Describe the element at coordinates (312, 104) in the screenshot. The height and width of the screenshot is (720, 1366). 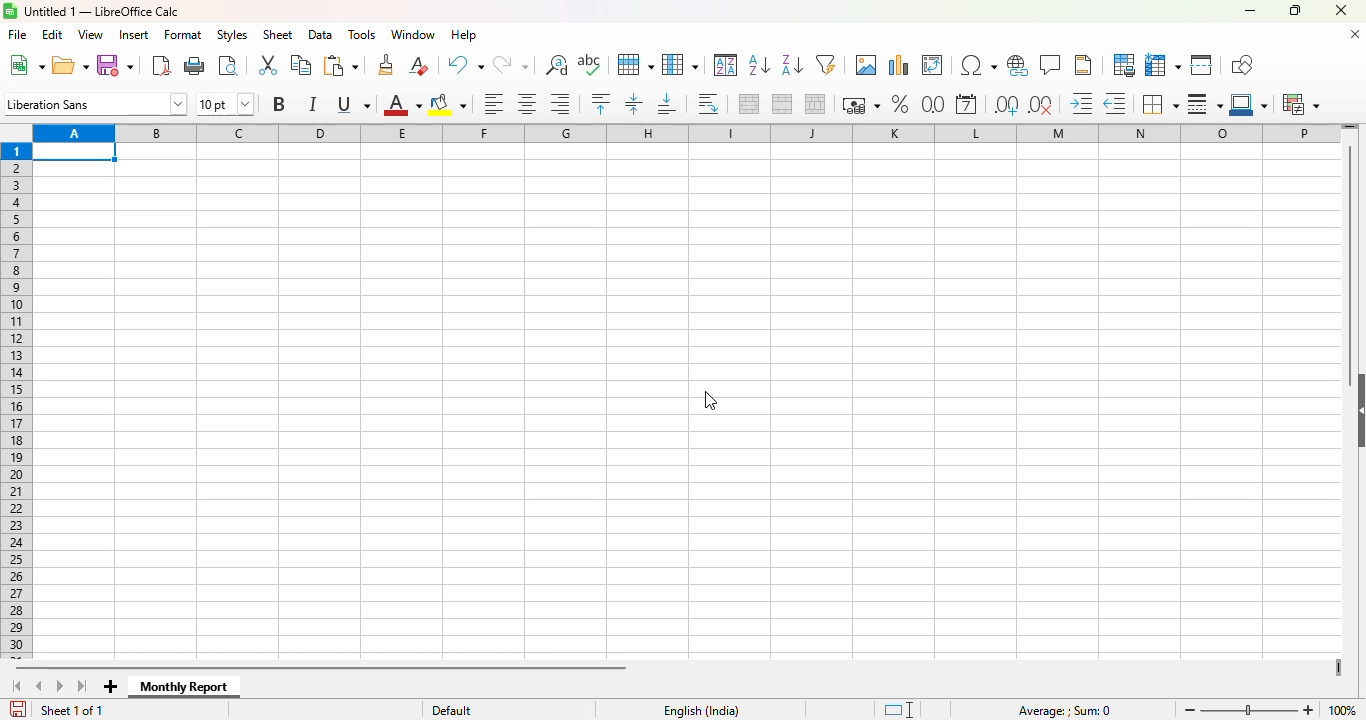
I see `italic` at that location.